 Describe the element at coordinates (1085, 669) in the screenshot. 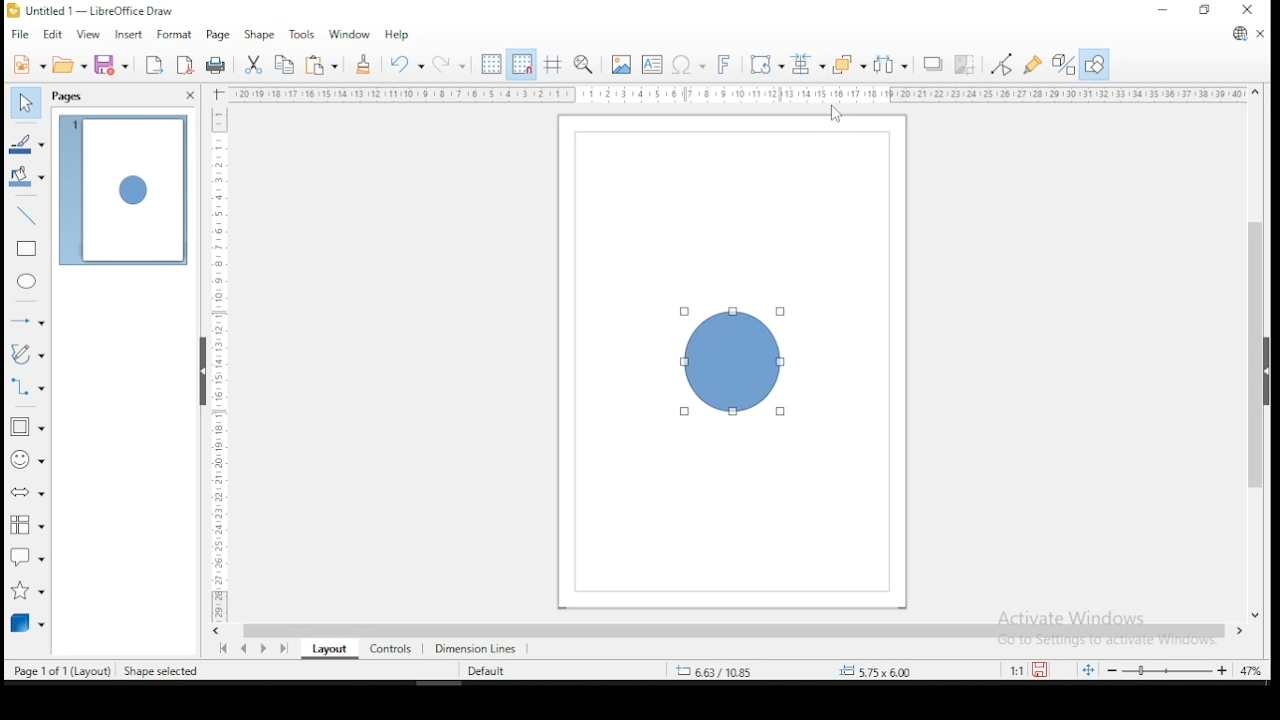

I see `fir document to window` at that location.